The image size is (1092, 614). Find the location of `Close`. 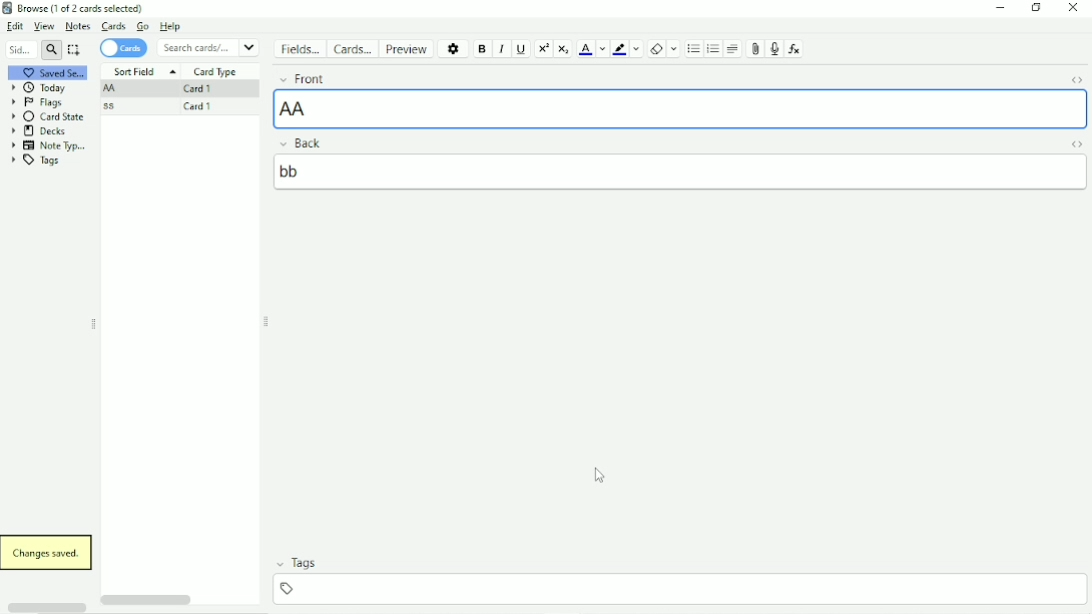

Close is located at coordinates (1073, 9).